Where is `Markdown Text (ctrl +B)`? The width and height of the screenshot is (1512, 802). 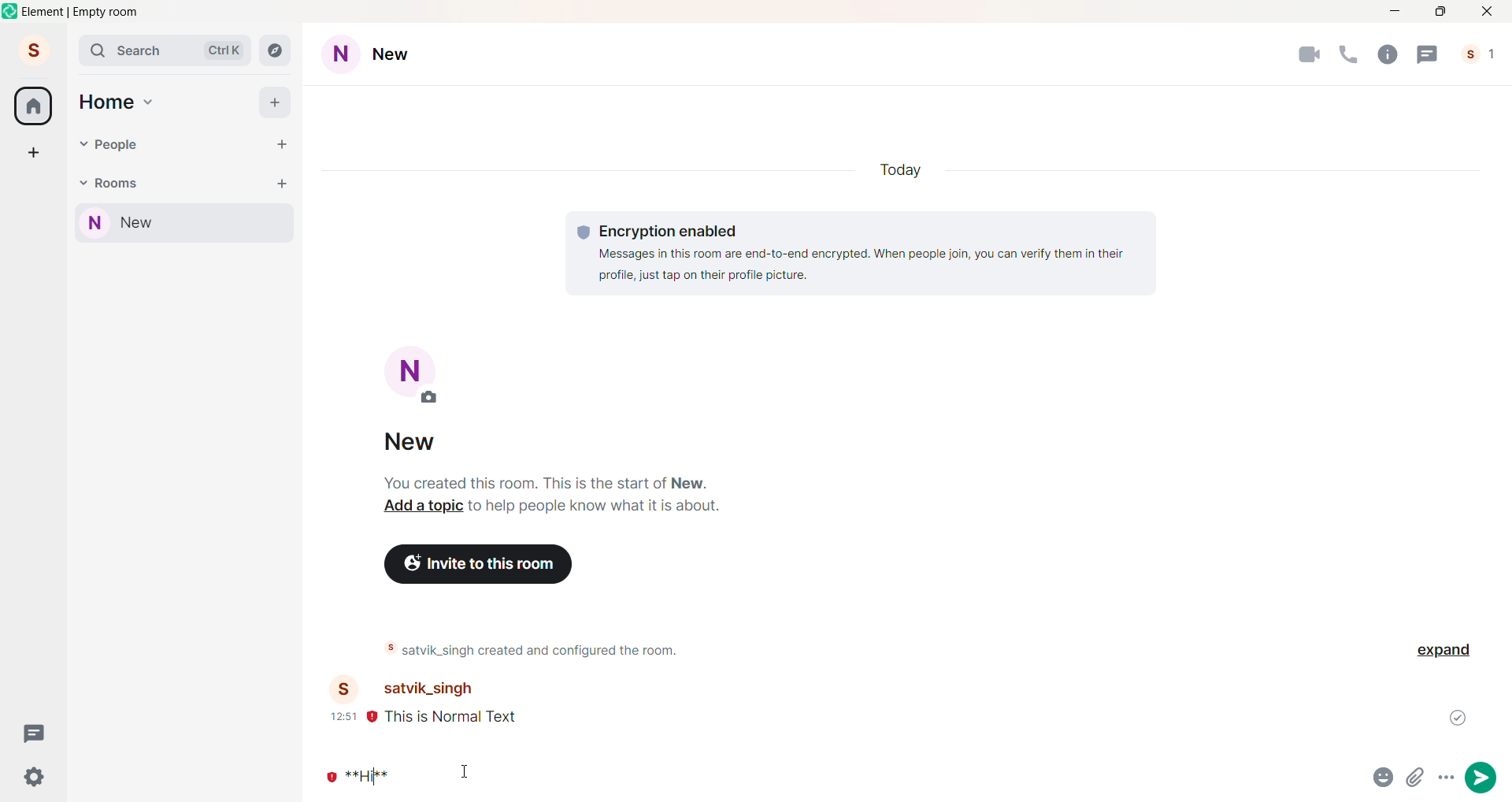 Markdown Text (ctrl +B) is located at coordinates (368, 778).